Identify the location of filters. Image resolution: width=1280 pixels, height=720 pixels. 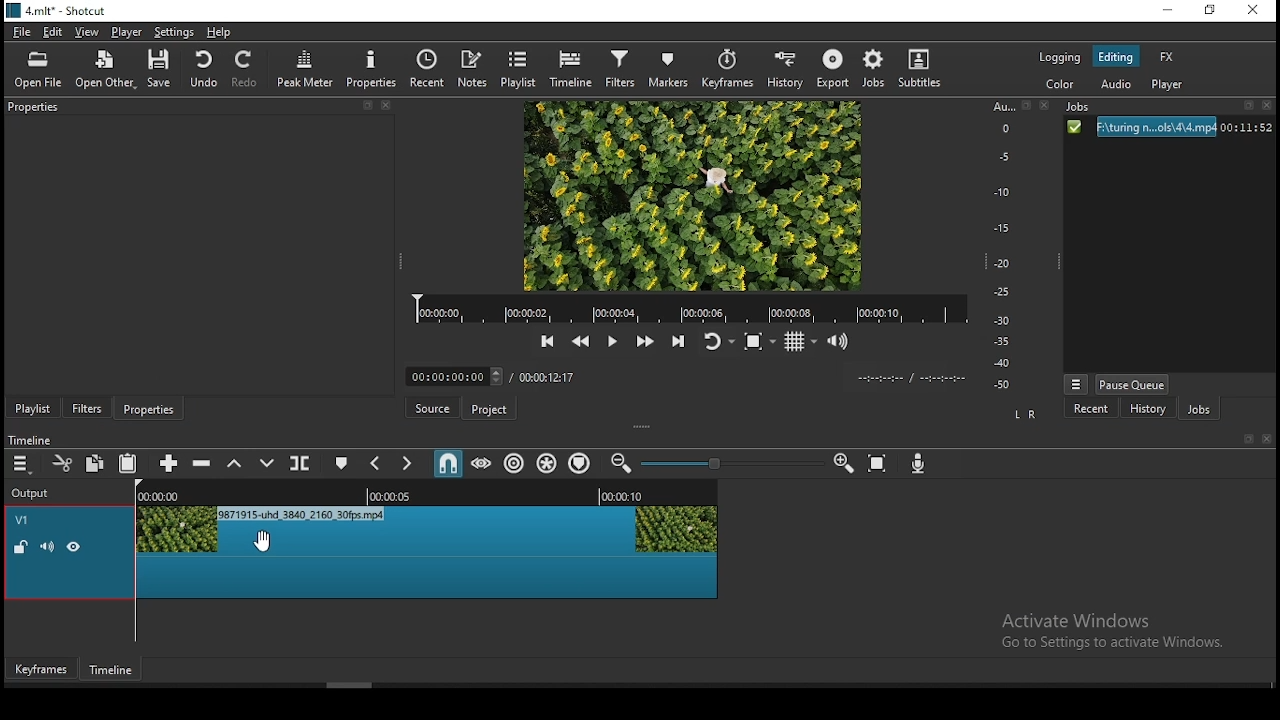
(87, 408).